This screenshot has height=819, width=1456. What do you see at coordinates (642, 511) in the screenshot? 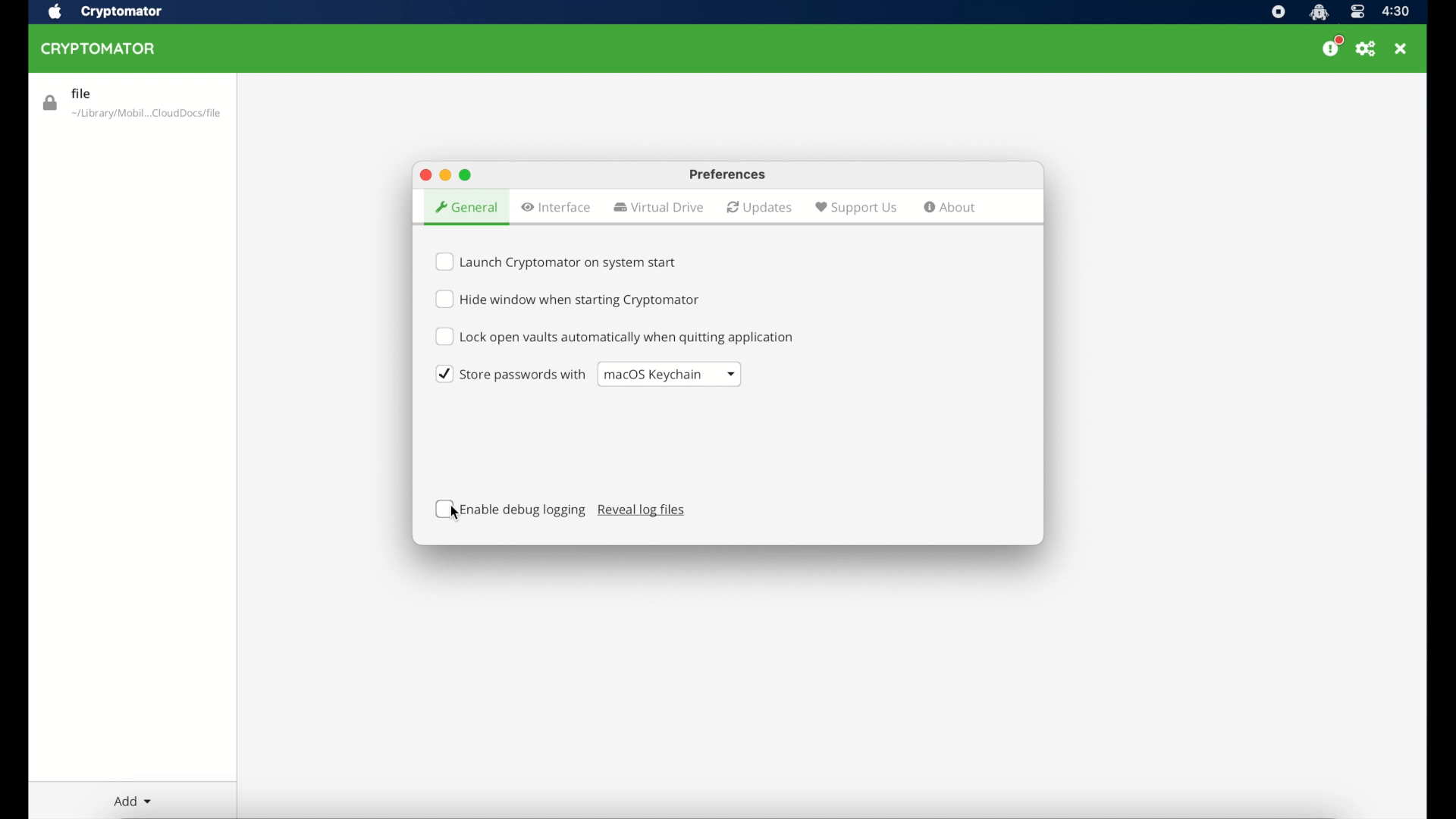
I see `reveal log files` at bounding box center [642, 511].